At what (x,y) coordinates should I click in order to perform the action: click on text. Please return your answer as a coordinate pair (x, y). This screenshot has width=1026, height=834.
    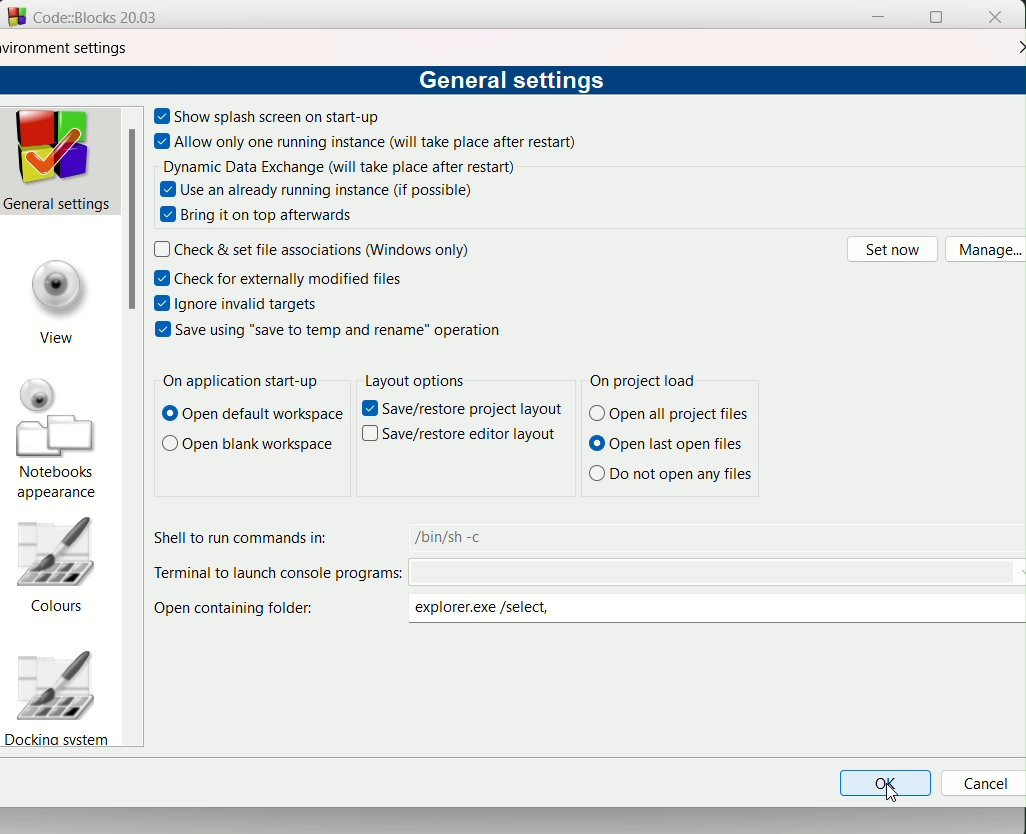
    Looking at the image, I should click on (238, 534).